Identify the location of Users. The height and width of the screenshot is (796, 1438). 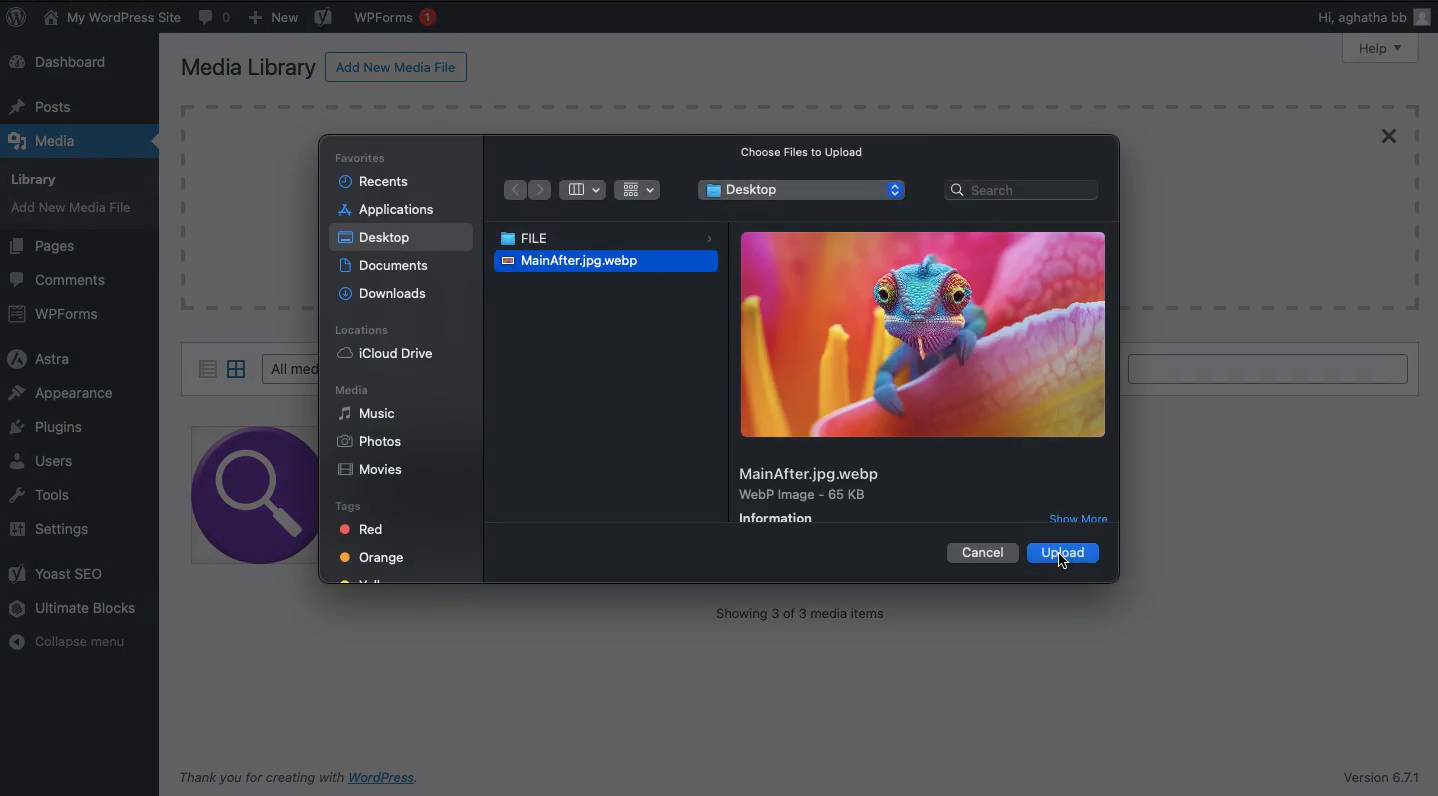
(48, 459).